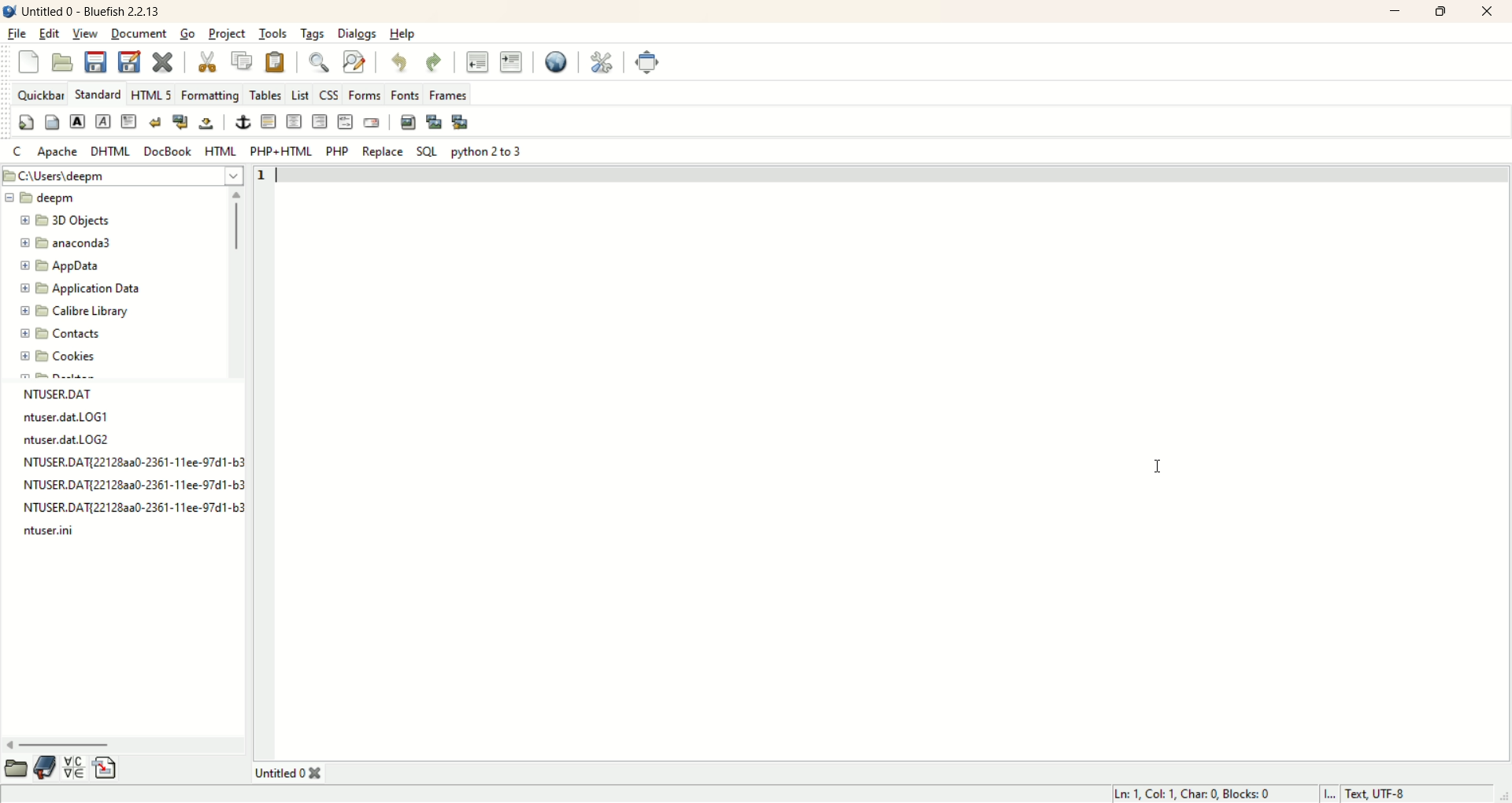  Describe the element at coordinates (76, 764) in the screenshot. I see `insert special character` at that location.